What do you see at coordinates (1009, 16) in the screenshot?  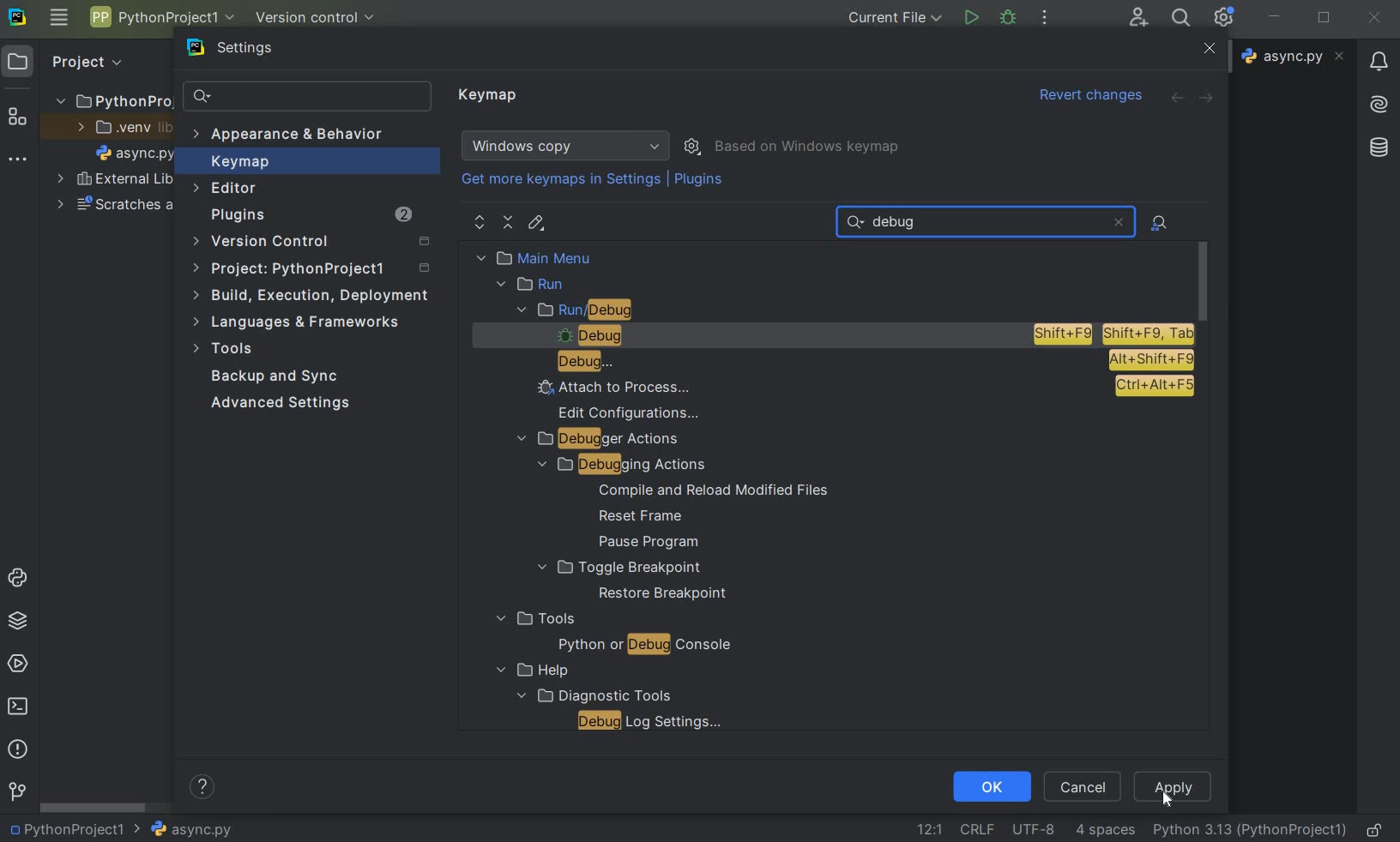 I see `debug` at bounding box center [1009, 16].